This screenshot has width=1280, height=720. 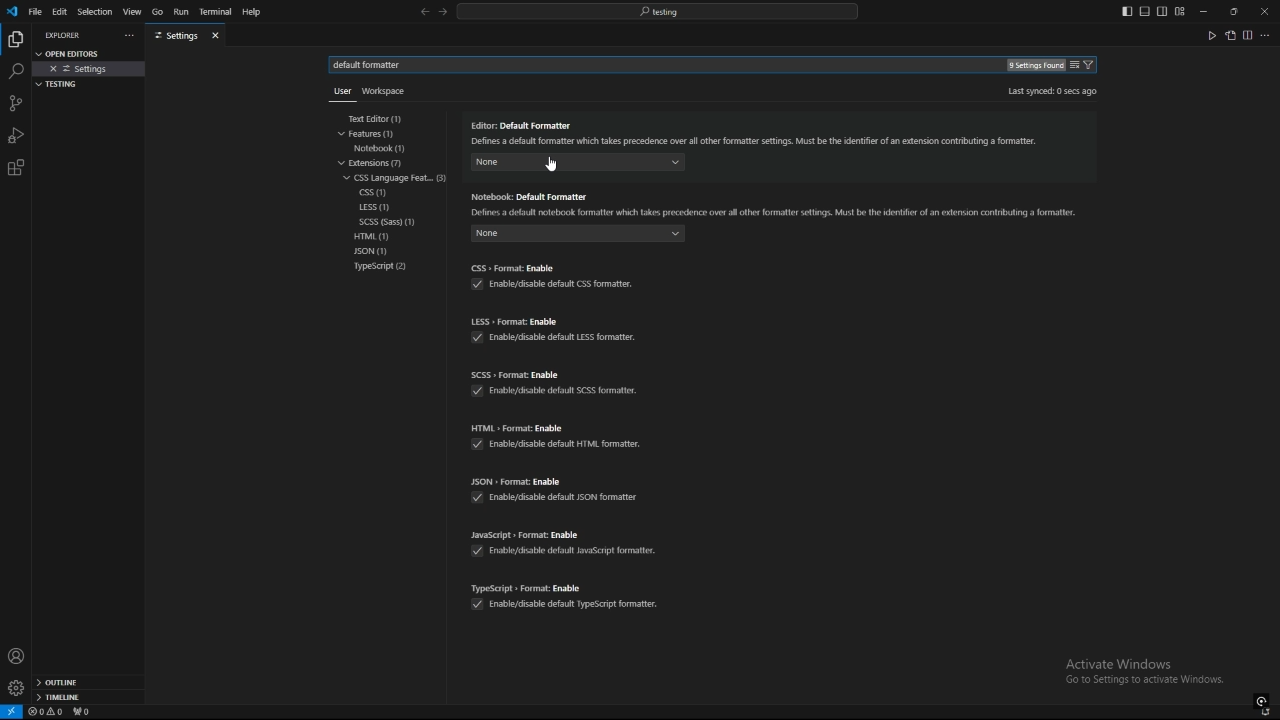 I want to click on html, so click(x=377, y=236).